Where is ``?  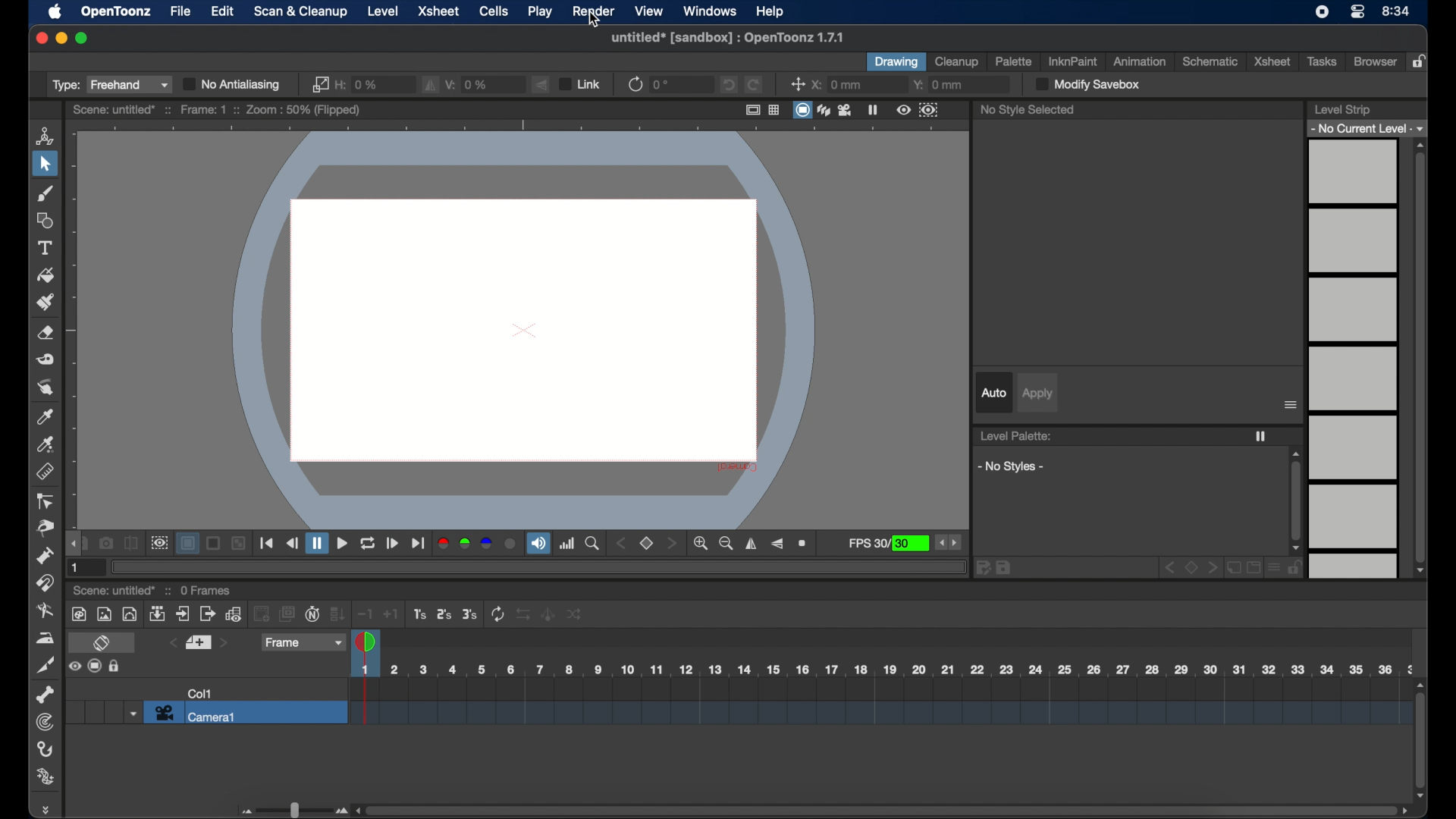
 is located at coordinates (158, 614).